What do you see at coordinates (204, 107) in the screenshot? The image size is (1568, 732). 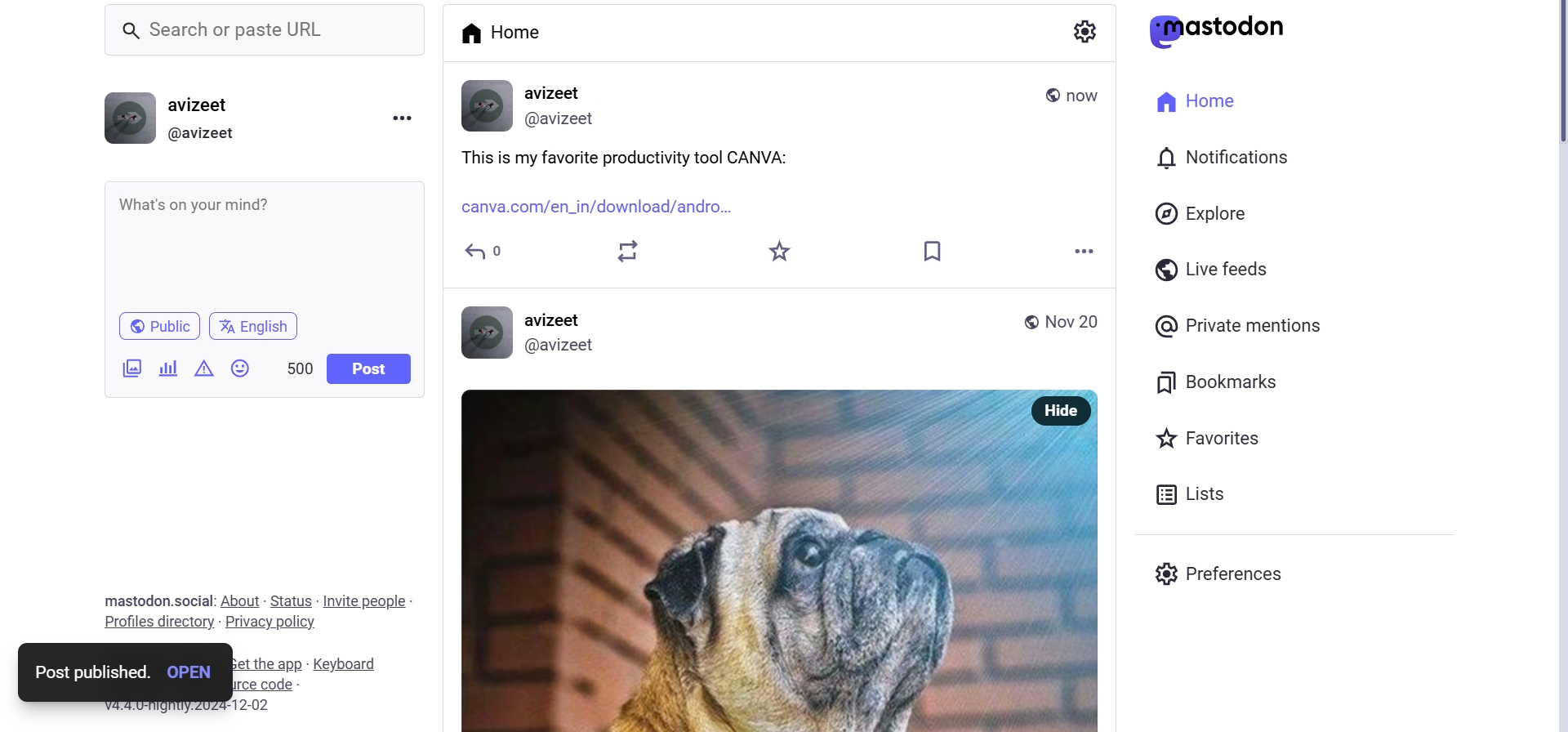 I see `avizeet` at bounding box center [204, 107].